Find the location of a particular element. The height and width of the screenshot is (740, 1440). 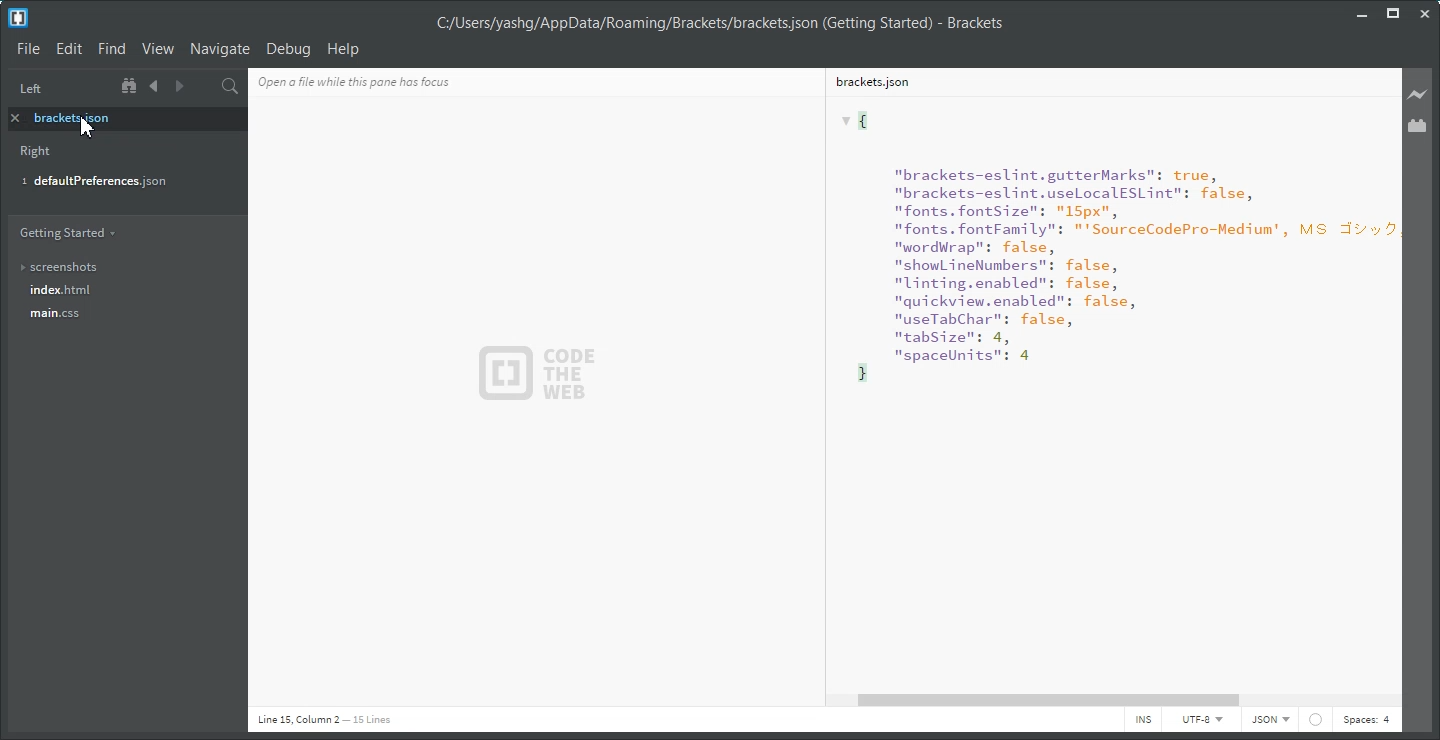

File is located at coordinates (28, 48).